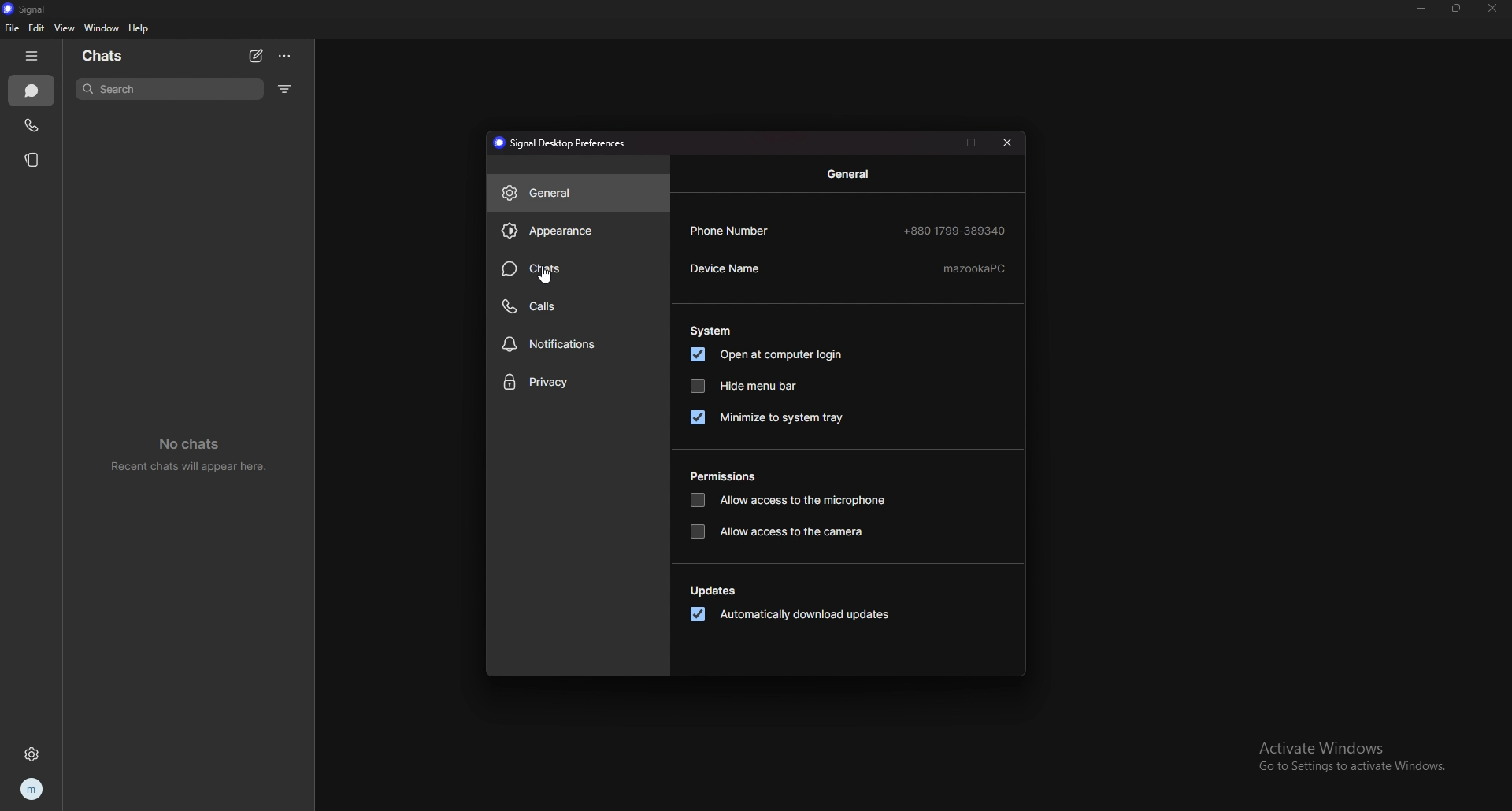  What do you see at coordinates (33, 755) in the screenshot?
I see `settings` at bounding box center [33, 755].